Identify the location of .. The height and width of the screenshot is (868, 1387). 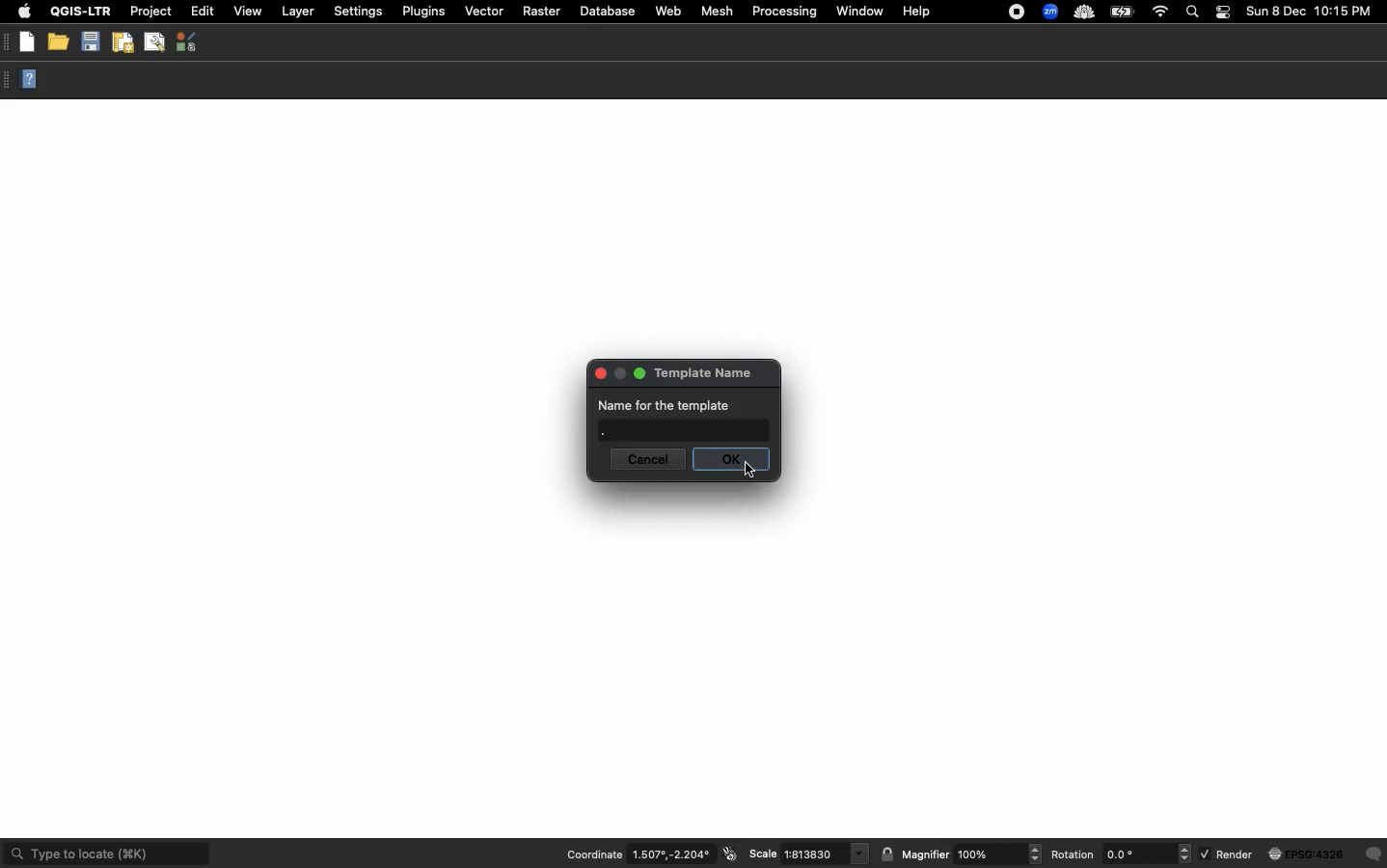
(599, 435).